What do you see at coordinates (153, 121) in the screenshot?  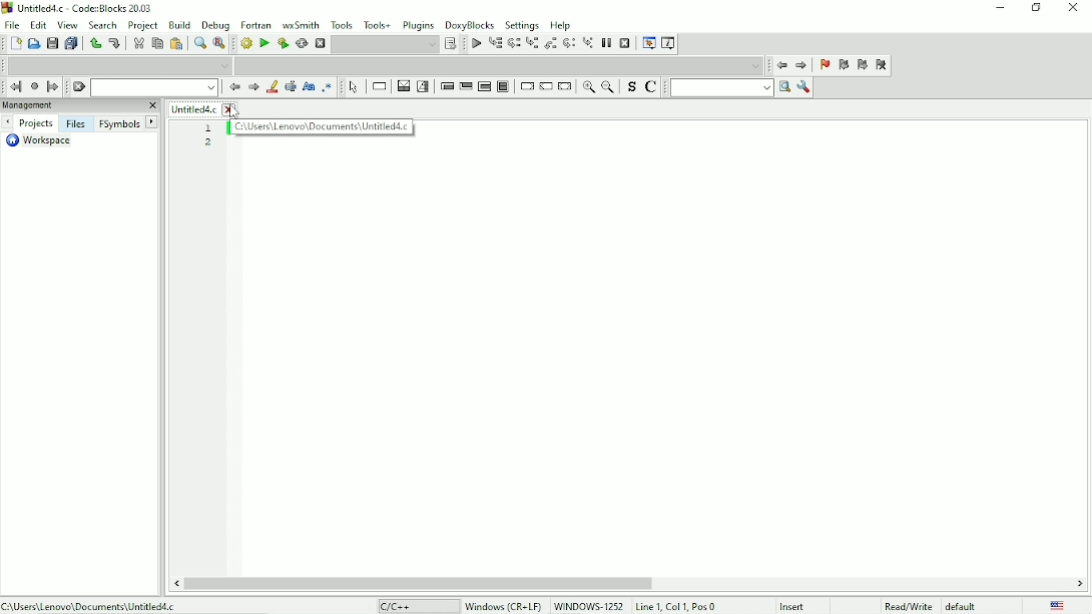 I see `Next` at bounding box center [153, 121].